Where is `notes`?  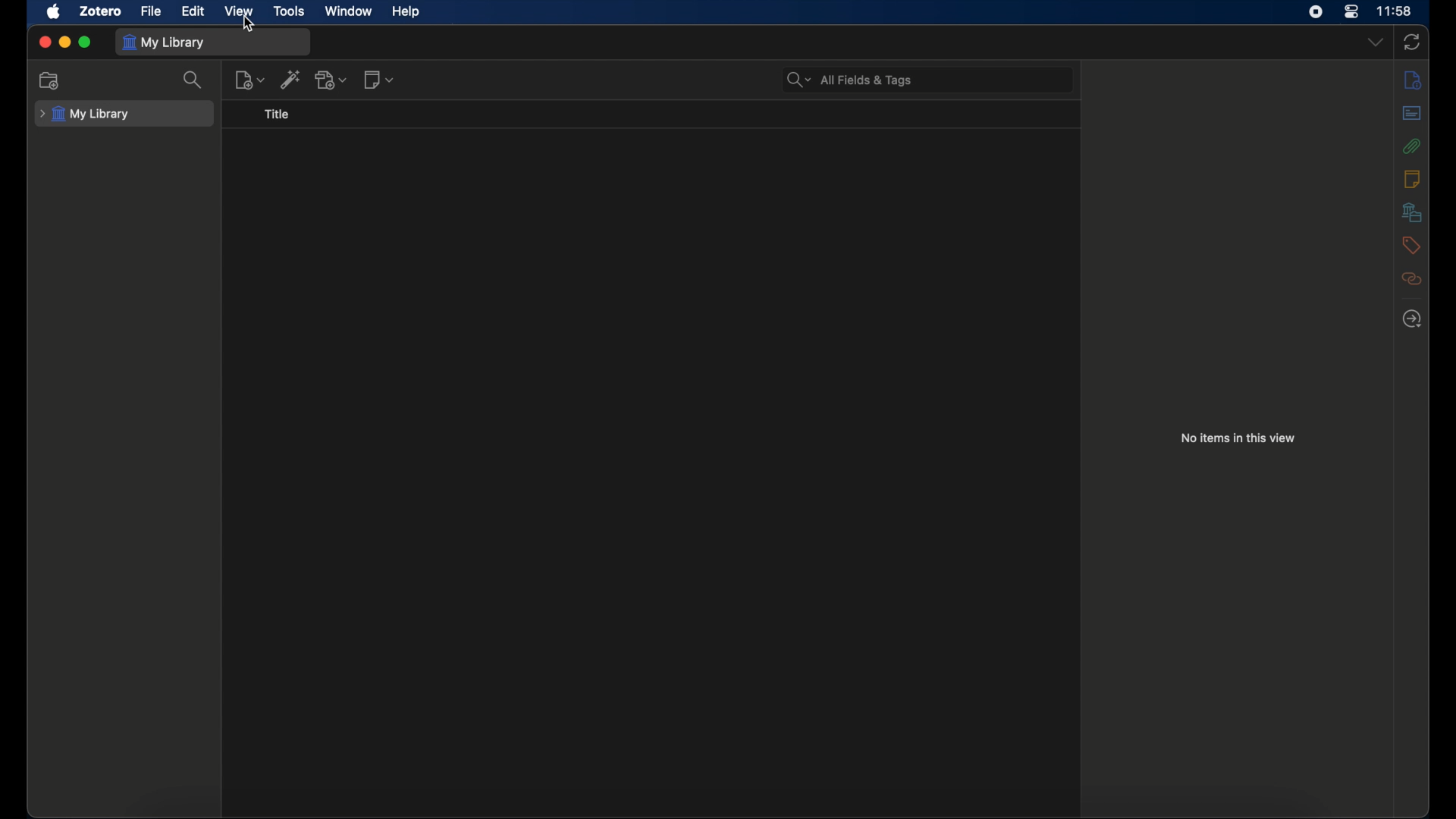 notes is located at coordinates (1411, 177).